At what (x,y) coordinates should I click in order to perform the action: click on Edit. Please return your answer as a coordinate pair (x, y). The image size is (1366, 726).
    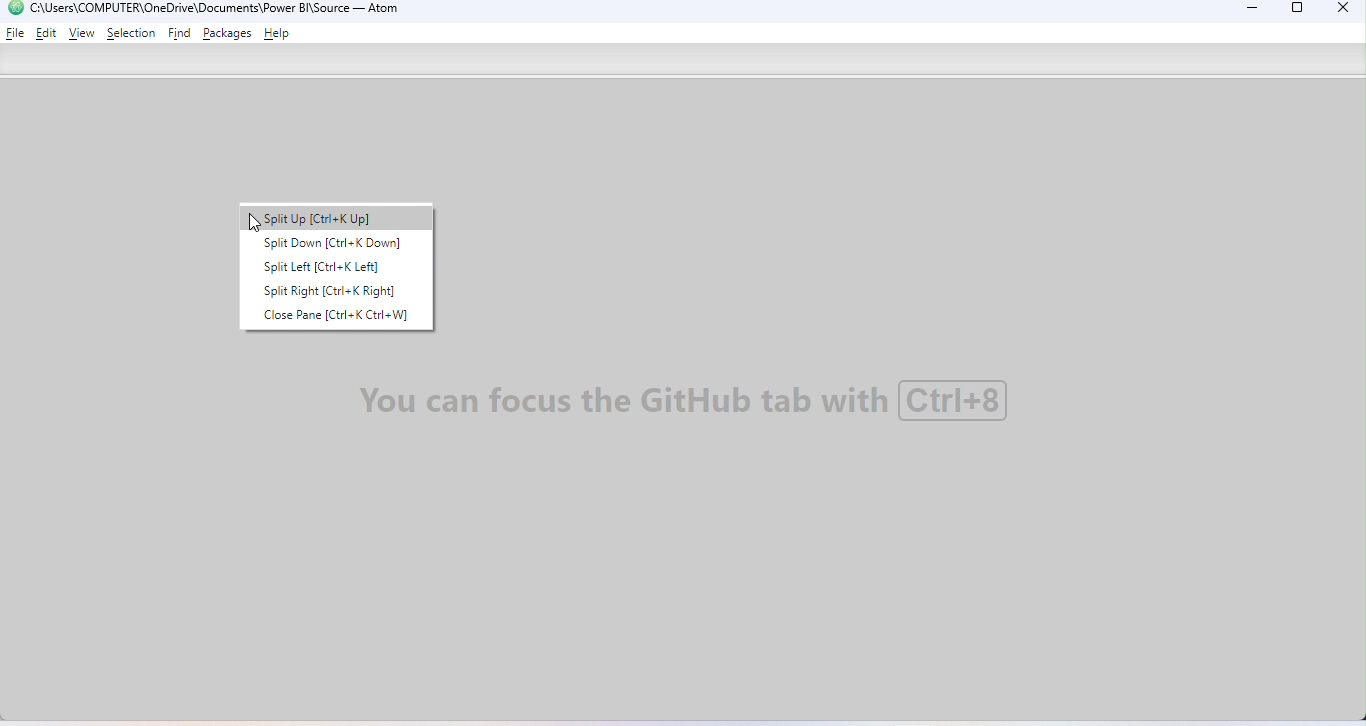
    Looking at the image, I should click on (48, 32).